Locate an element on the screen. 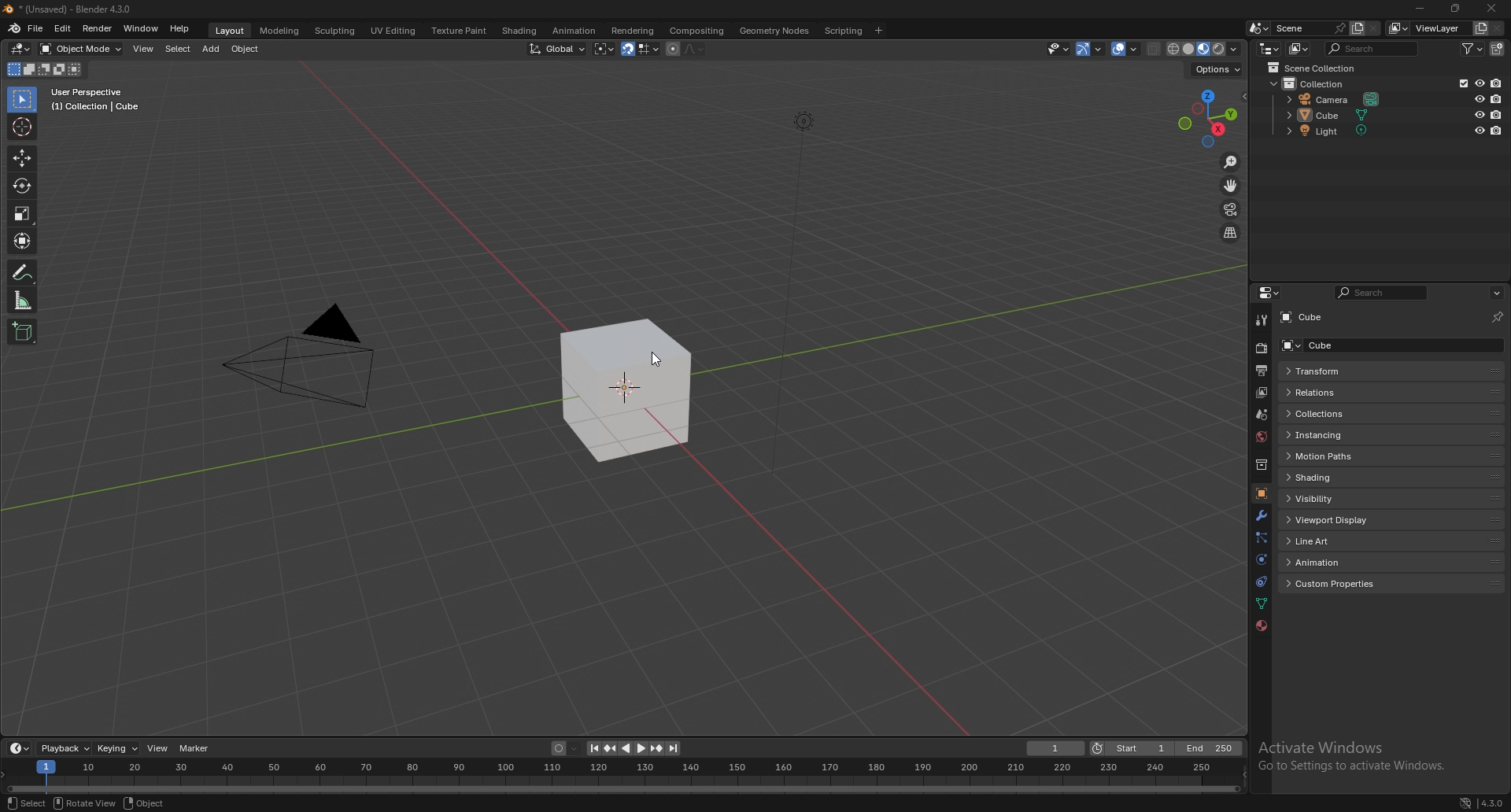 Image resolution: width=1511 pixels, height=812 pixels. window is located at coordinates (141, 28).